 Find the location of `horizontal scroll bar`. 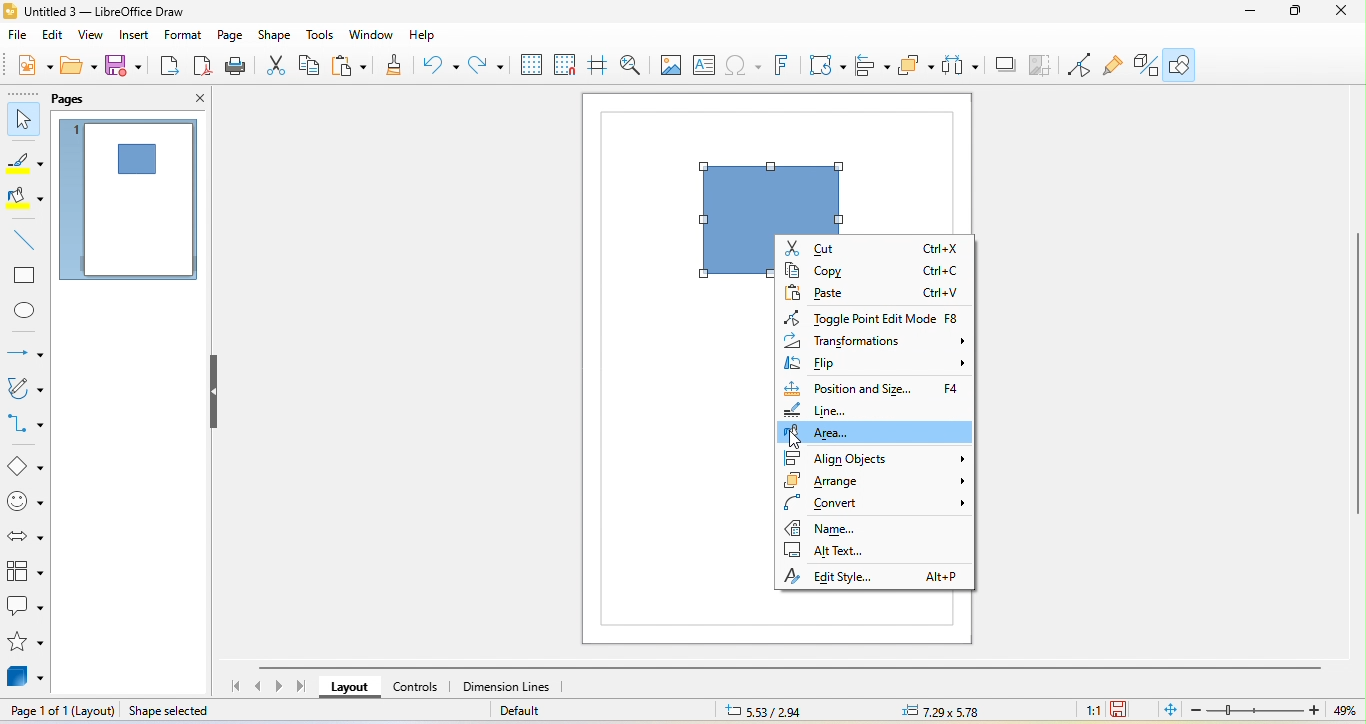

horizontal scroll bar is located at coordinates (794, 668).